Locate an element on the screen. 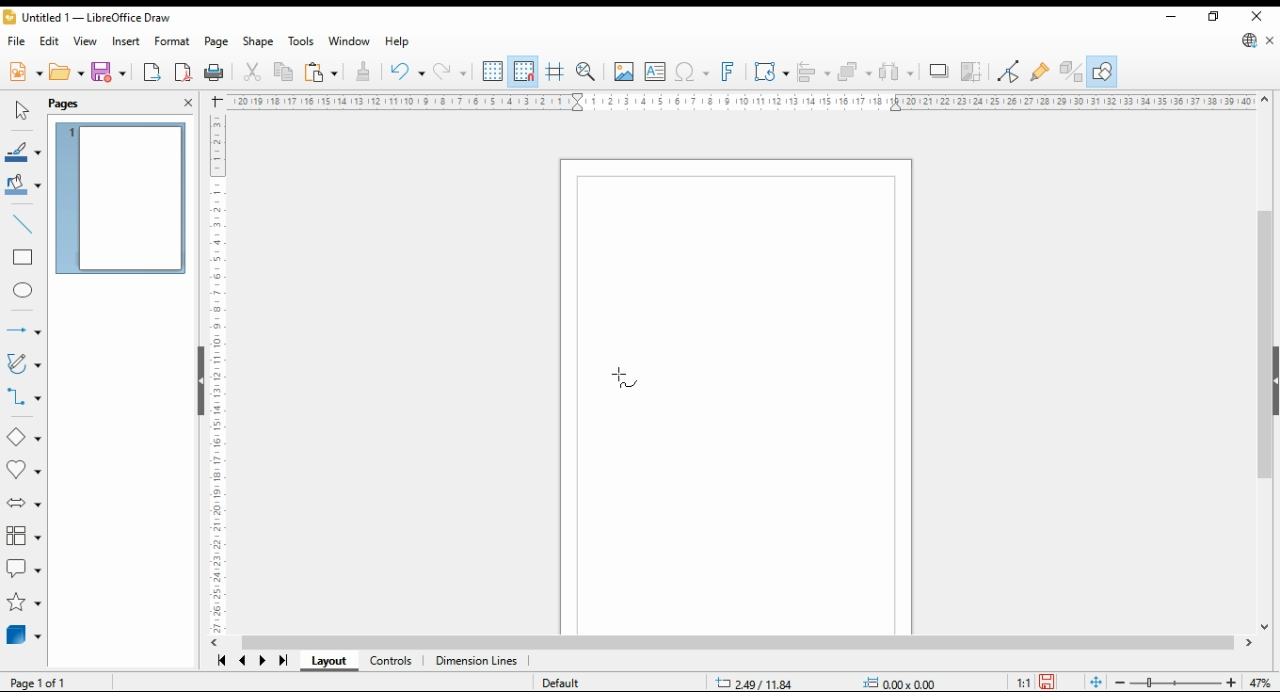 The image size is (1280, 692). insert fontwork text is located at coordinates (727, 72).